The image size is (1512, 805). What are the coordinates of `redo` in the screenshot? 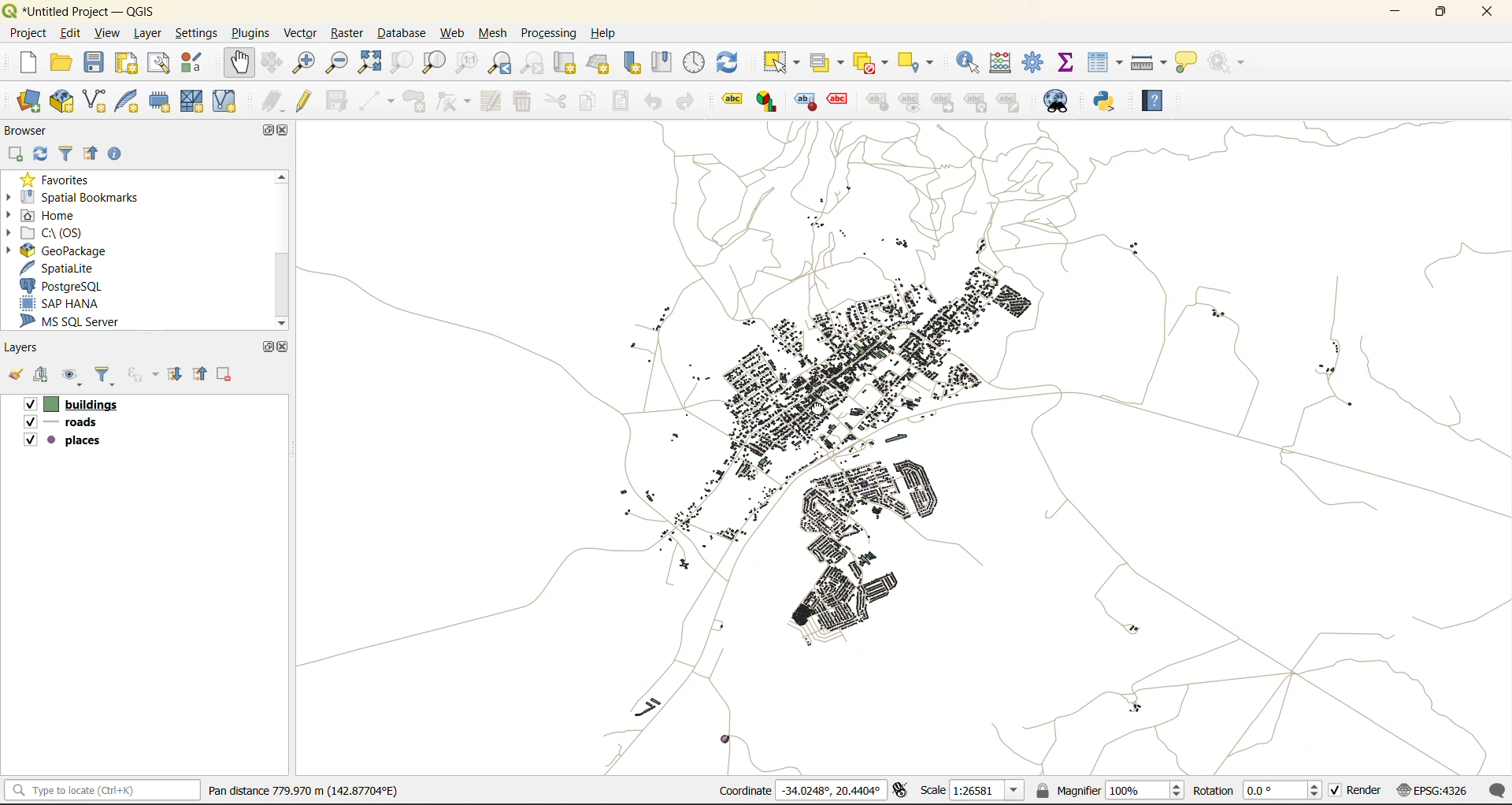 It's located at (687, 99).